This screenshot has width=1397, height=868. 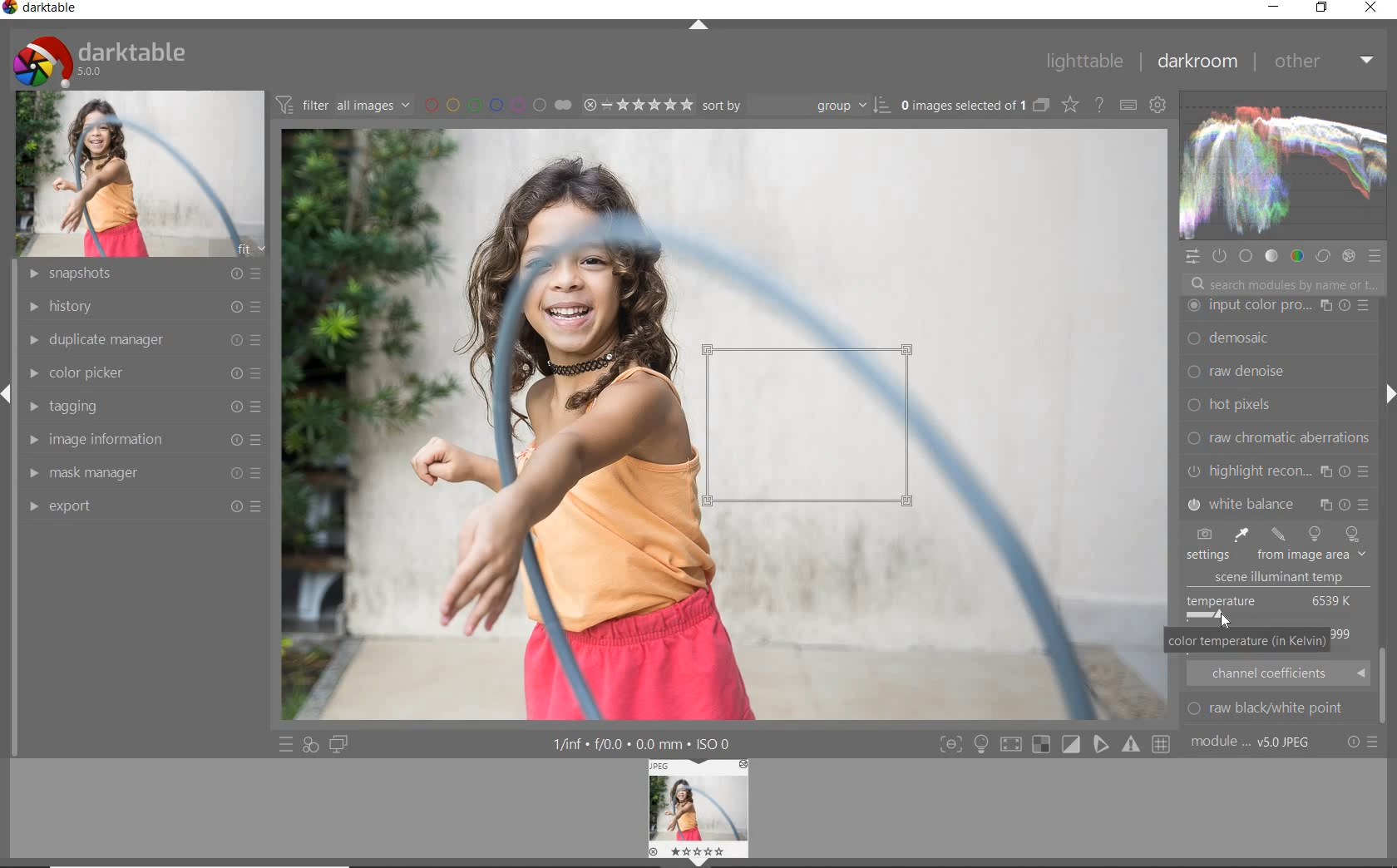 What do you see at coordinates (139, 305) in the screenshot?
I see `history` at bounding box center [139, 305].